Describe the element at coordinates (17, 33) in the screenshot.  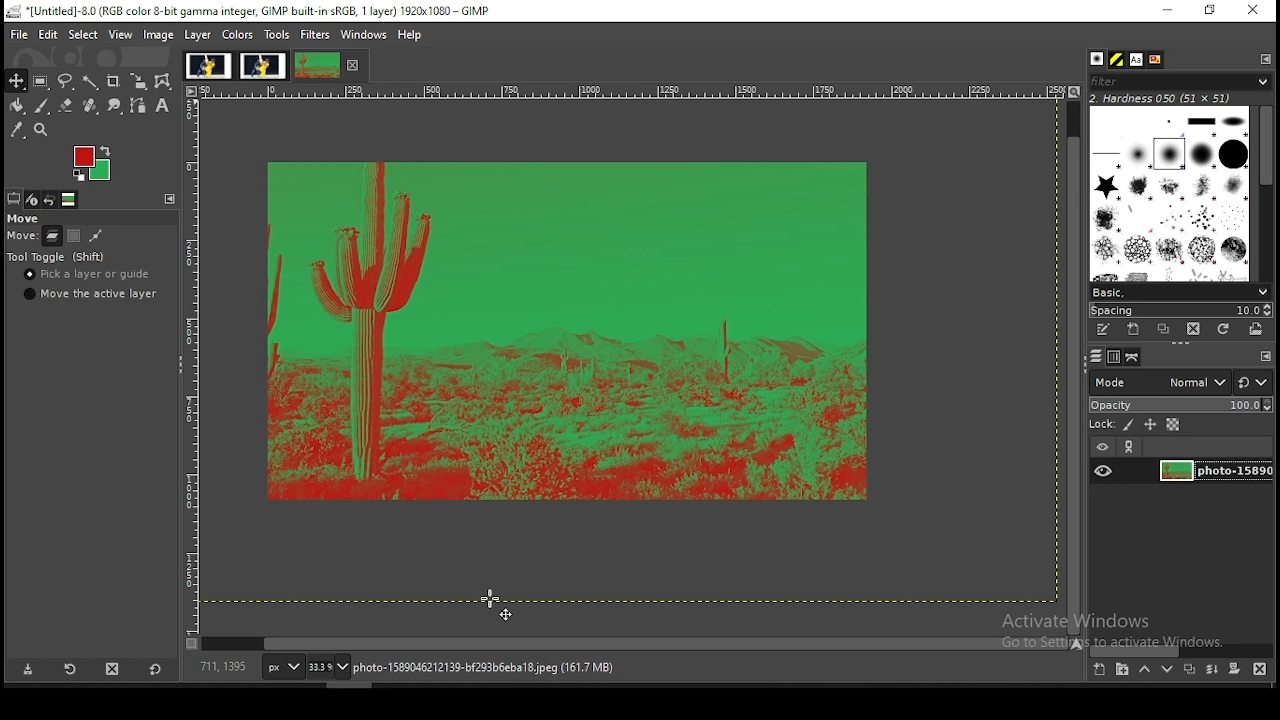
I see `file` at that location.